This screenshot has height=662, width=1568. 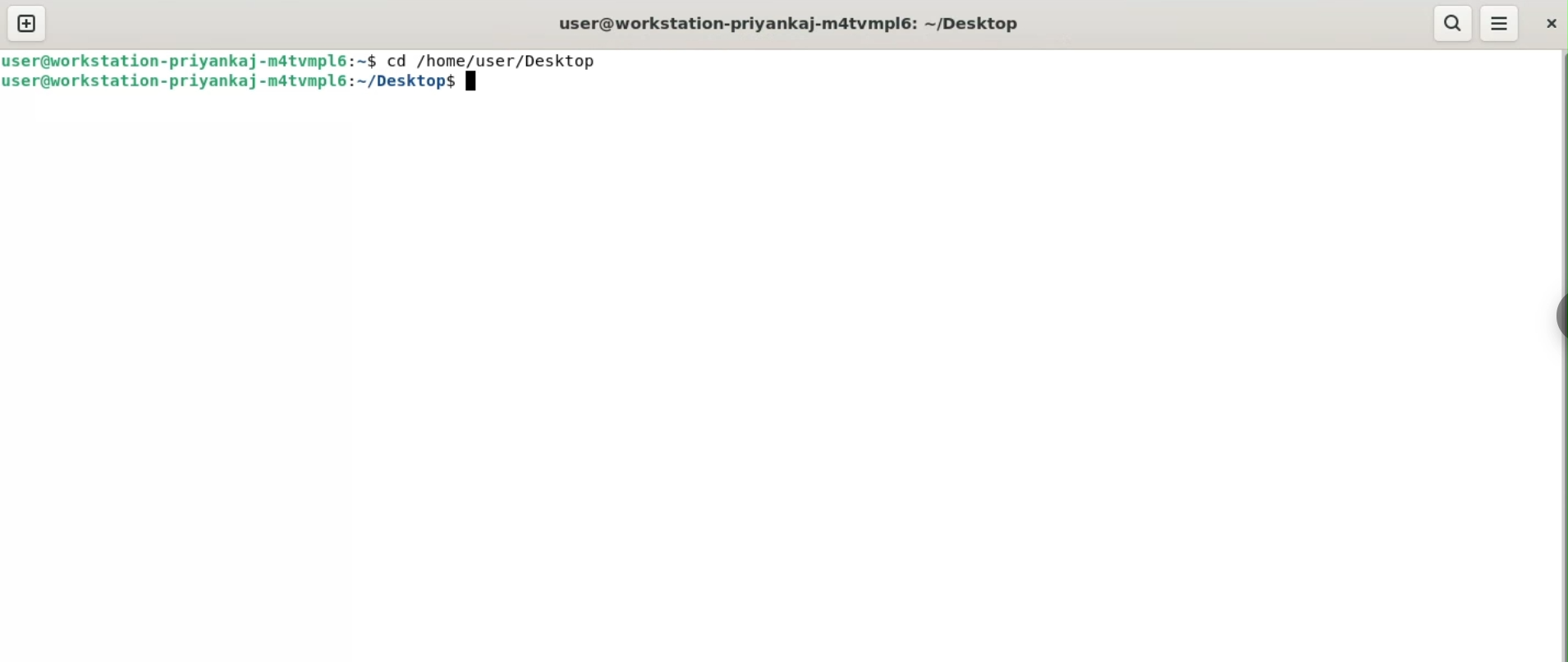 I want to click on user@workstation-priyankaj-m4tvmpl6:~, so click(x=796, y=25).